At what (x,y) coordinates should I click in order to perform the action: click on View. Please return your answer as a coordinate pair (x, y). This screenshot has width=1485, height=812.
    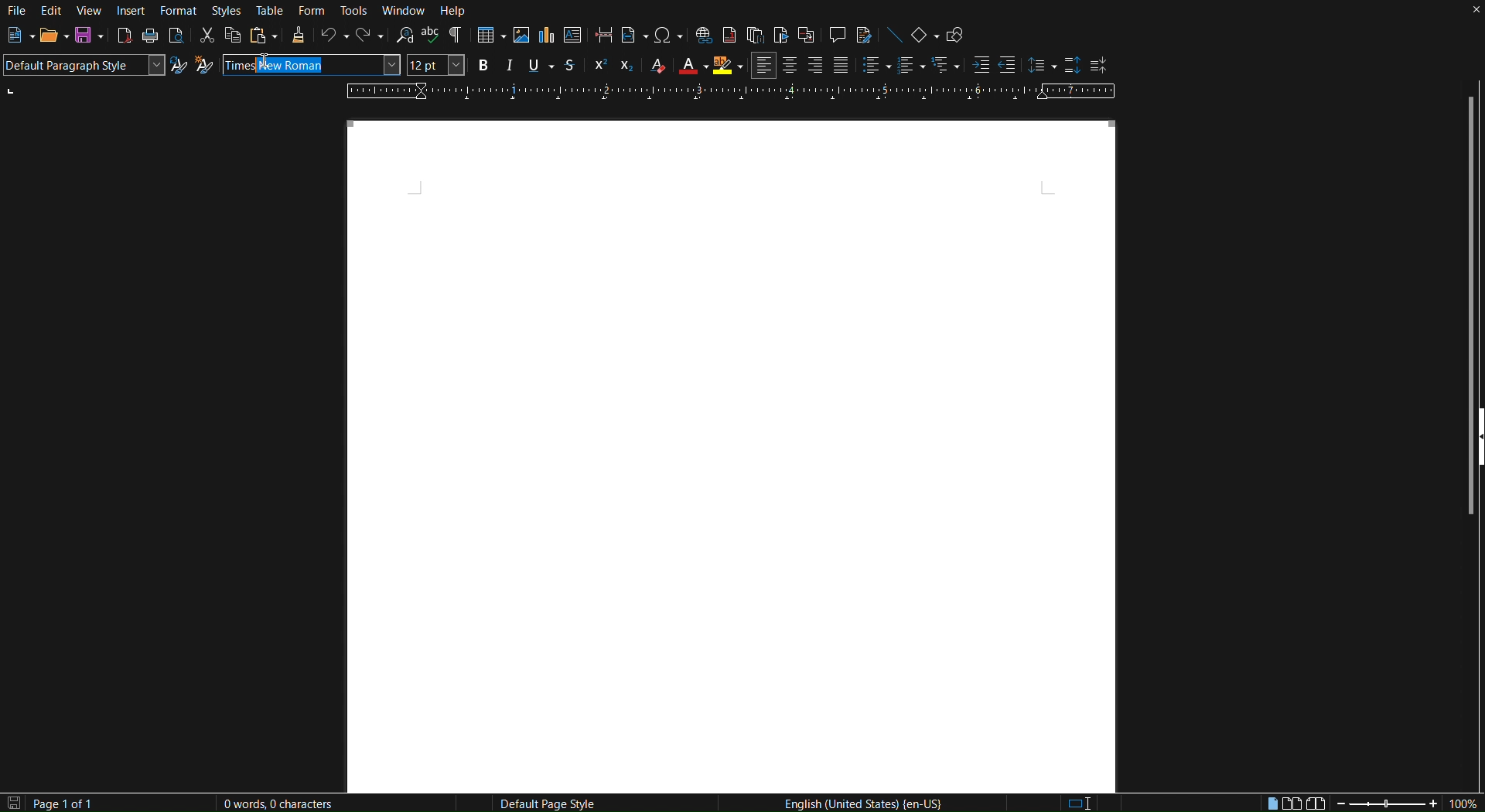
    Looking at the image, I should click on (89, 11).